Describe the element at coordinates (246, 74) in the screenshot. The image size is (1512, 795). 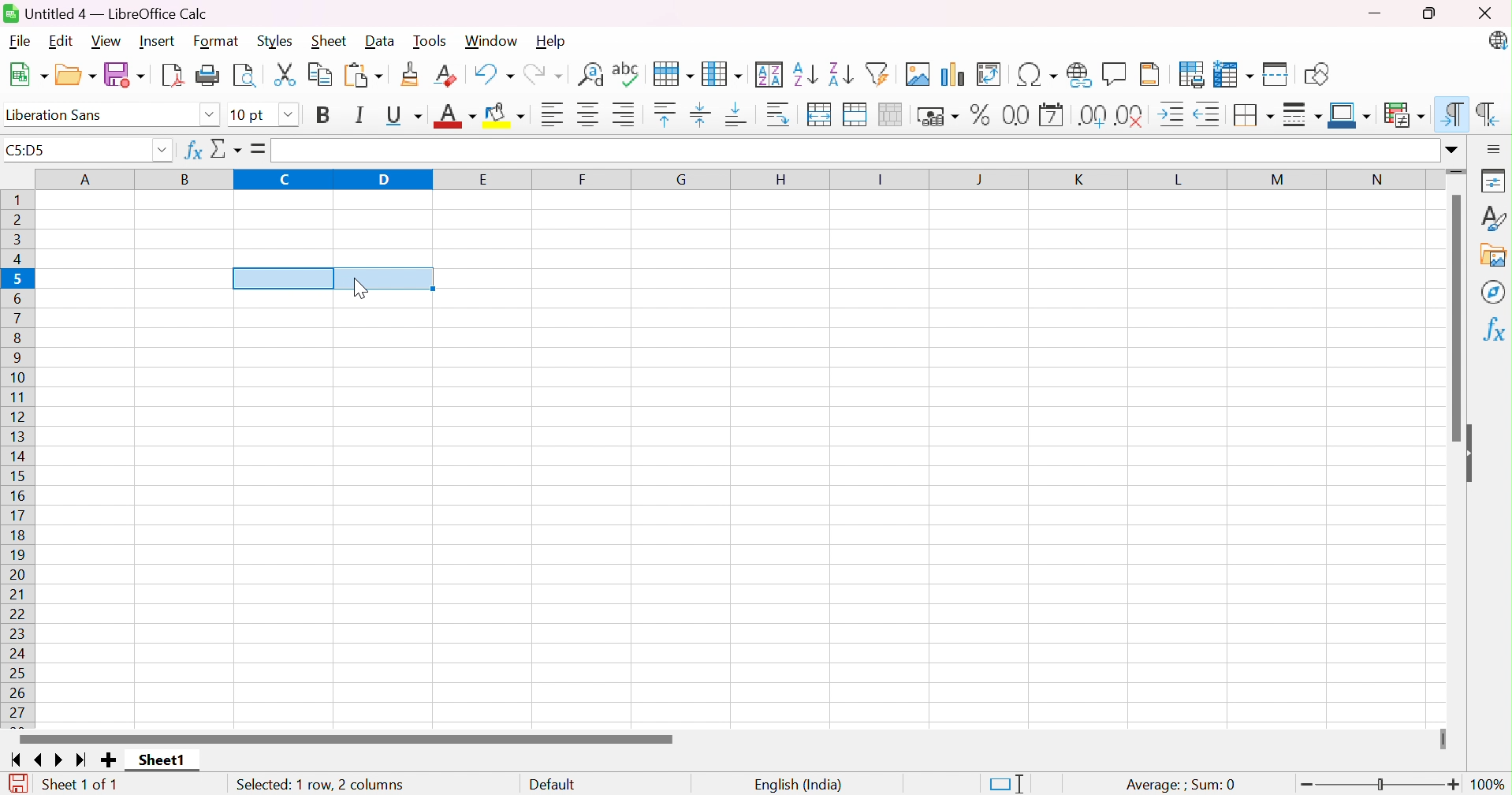
I see `Toggle Print Preview` at that location.